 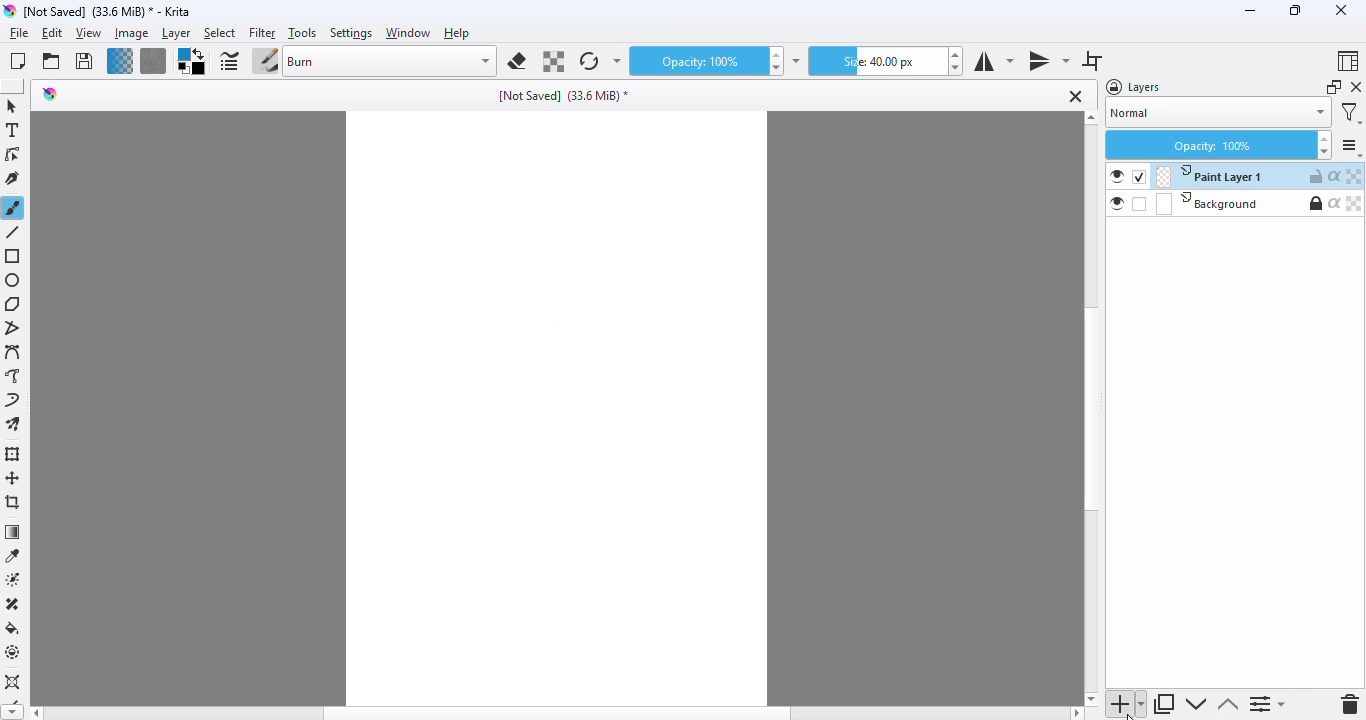 I want to click on ellipse tool, so click(x=13, y=280).